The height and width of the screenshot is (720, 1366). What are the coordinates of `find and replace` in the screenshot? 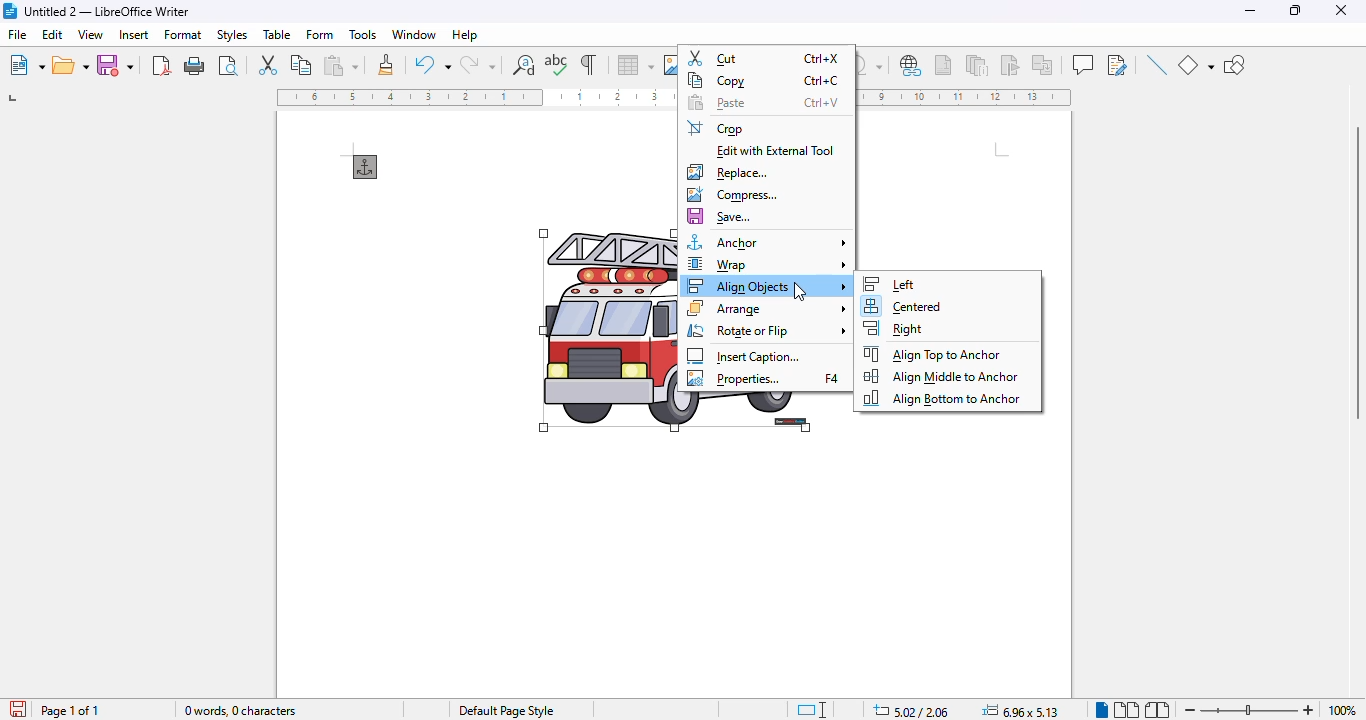 It's located at (524, 65).